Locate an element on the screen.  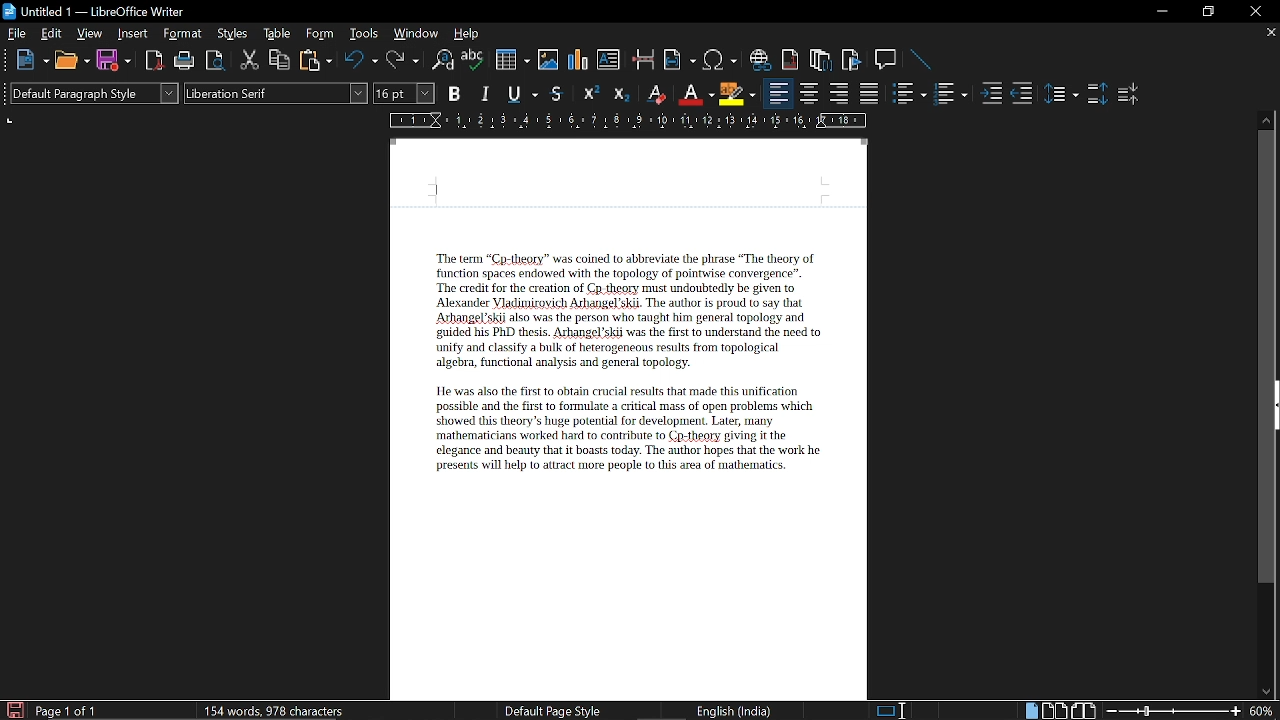
Print is located at coordinates (185, 60).